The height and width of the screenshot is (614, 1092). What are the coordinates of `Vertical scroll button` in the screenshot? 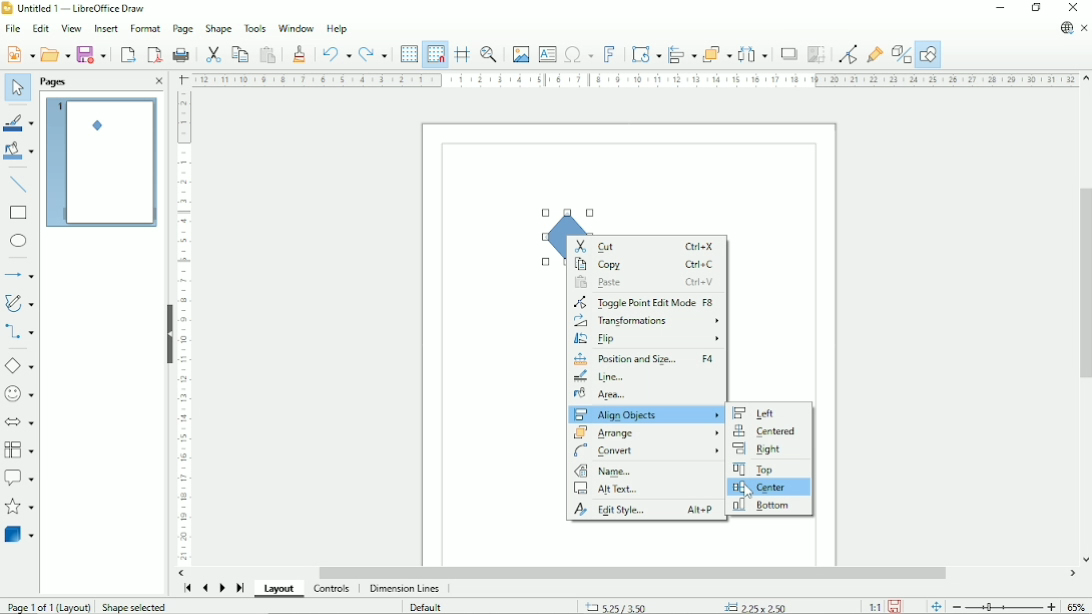 It's located at (1085, 80).